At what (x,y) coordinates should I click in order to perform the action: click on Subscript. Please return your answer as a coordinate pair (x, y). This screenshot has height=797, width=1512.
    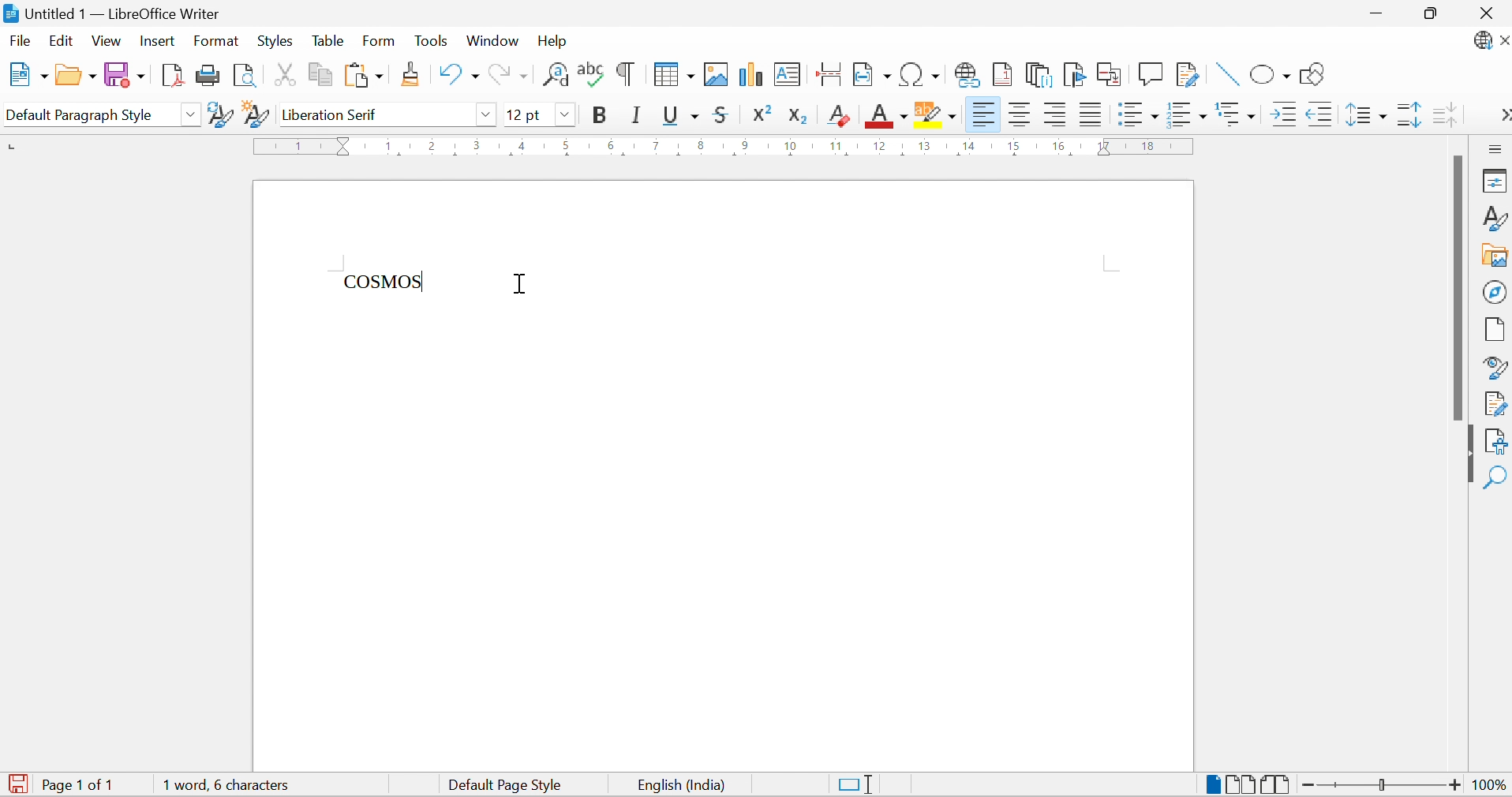
    Looking at the image, I should click on (803, 116).